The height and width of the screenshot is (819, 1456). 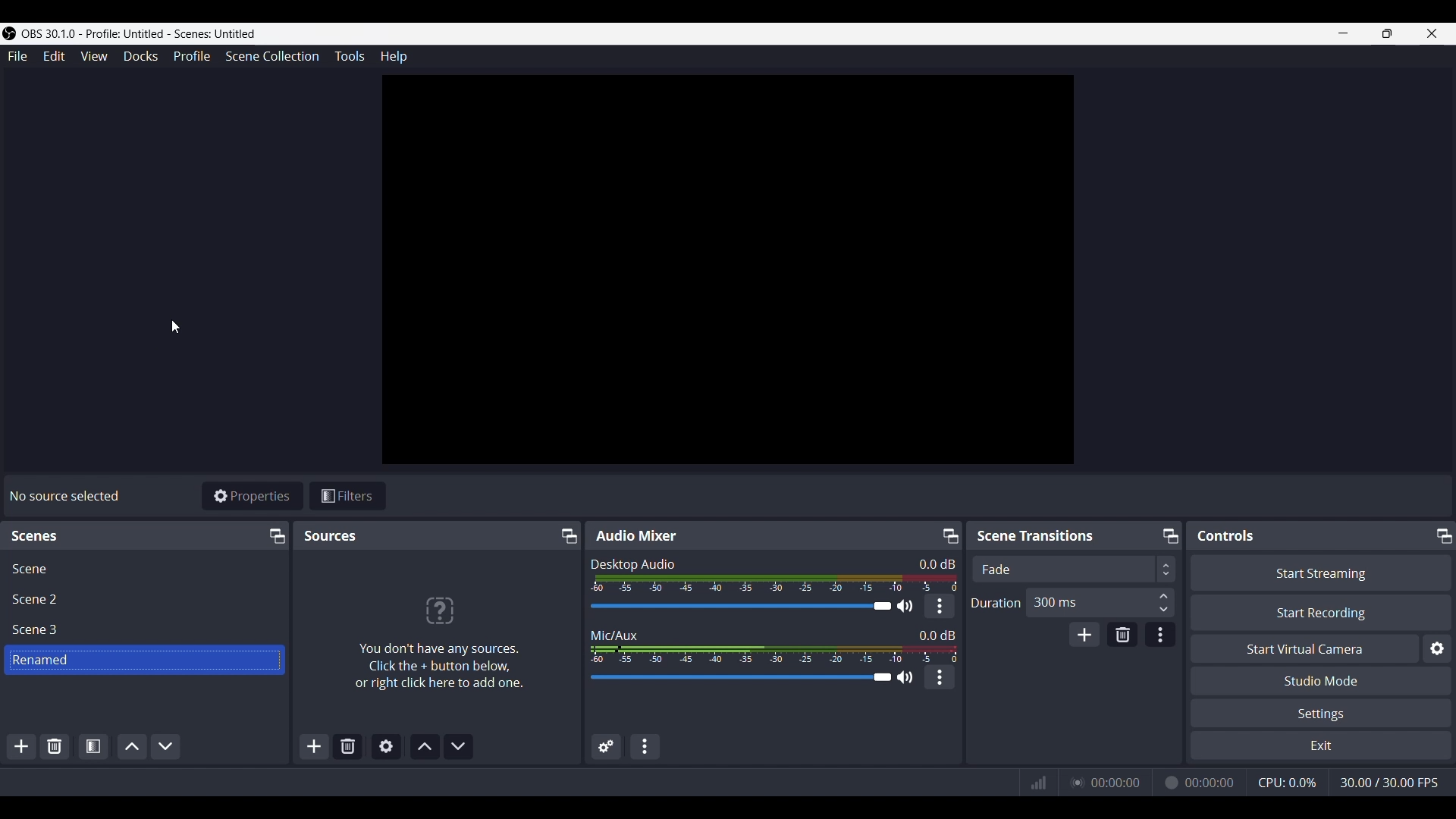 What do you see at coordinates (646, 746) in the screenshot?
I see `Audio mixer menu` at bounding box center [646, 746].